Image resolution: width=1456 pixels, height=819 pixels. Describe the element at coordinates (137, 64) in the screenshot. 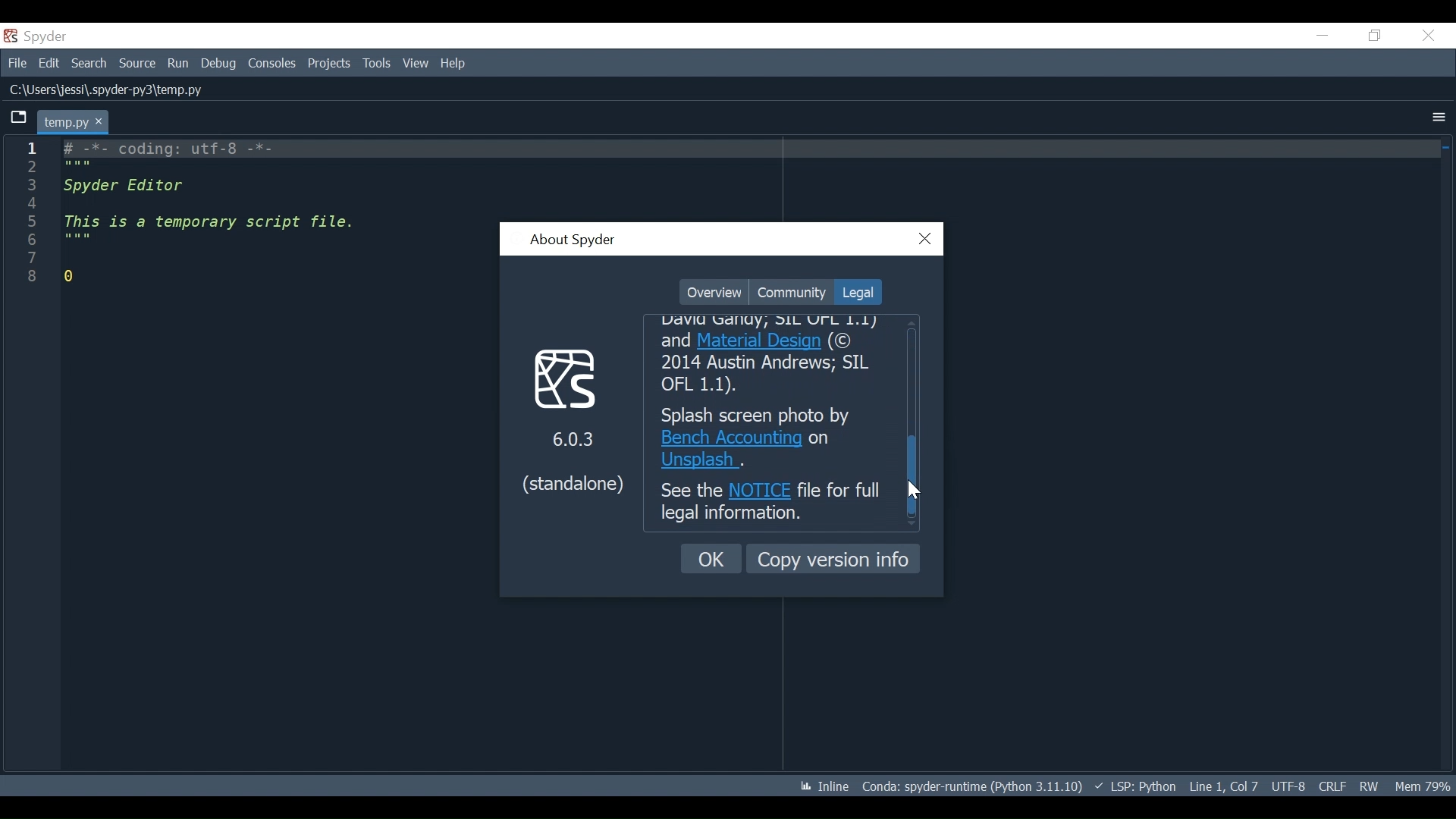

I see `Source` at that location.